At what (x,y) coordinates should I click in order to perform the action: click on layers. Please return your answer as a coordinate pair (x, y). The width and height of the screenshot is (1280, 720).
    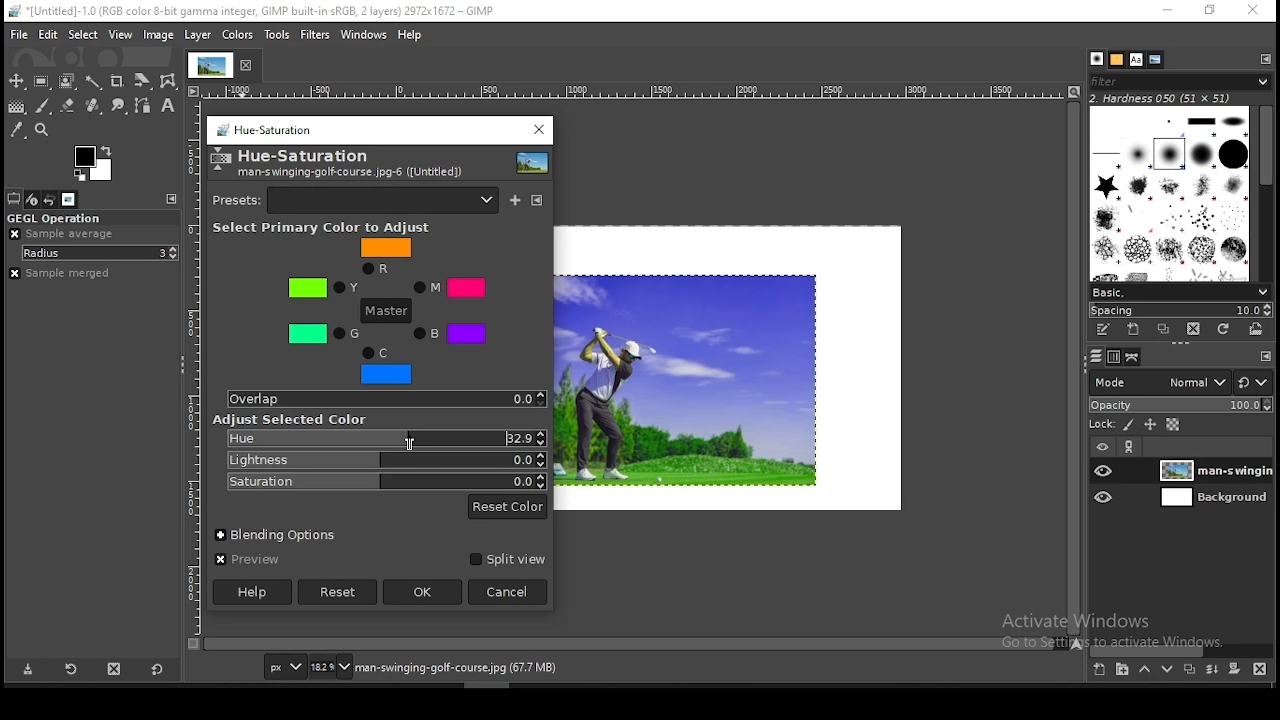
    Looking at the image, I should click on (1093, 357).